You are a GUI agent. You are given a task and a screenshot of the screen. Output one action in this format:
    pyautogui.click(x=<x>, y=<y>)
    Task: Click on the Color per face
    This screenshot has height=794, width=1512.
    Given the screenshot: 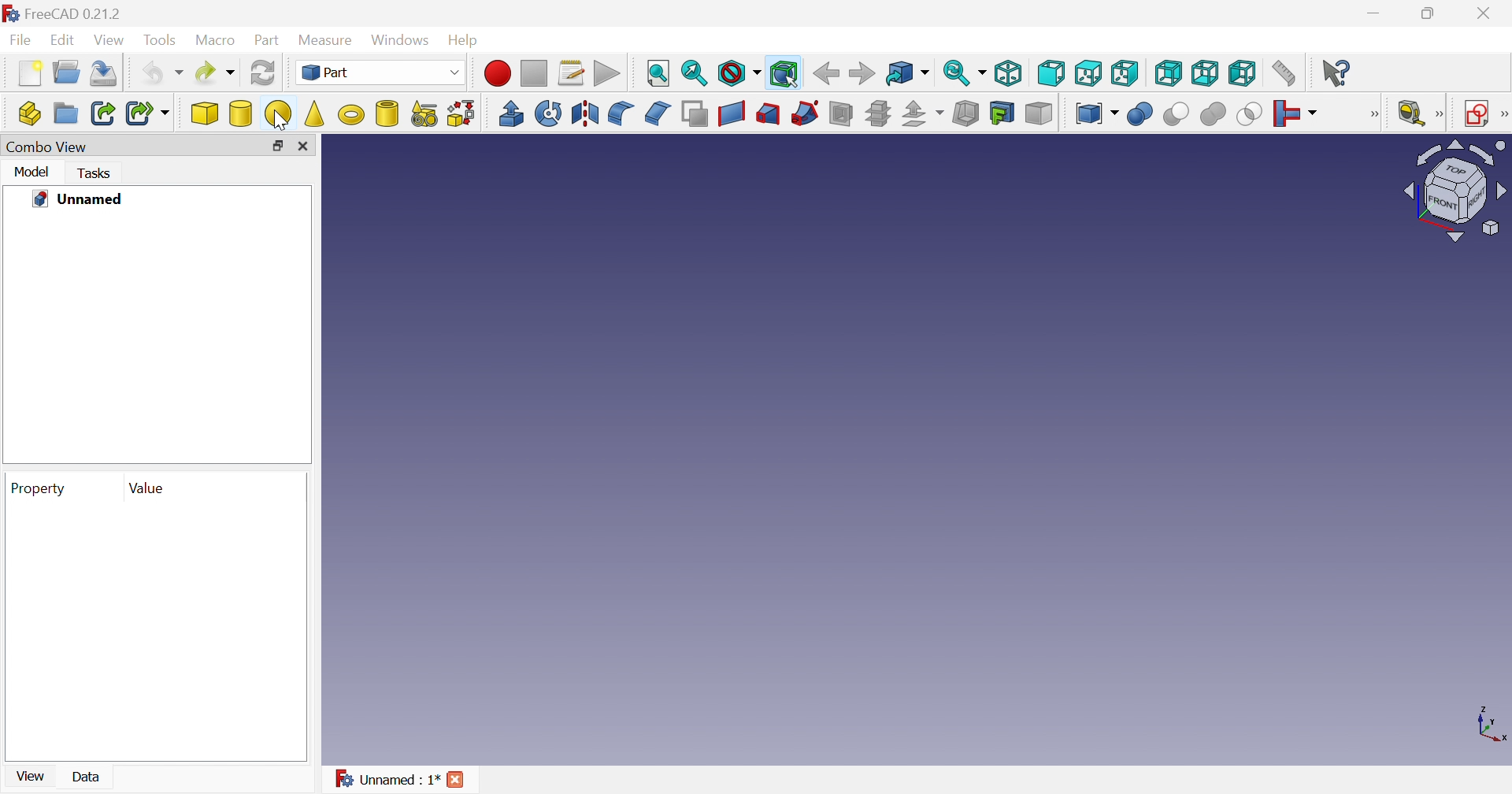 What is the action you would take?
    pyautogui.click(x=1039, y=113)
    